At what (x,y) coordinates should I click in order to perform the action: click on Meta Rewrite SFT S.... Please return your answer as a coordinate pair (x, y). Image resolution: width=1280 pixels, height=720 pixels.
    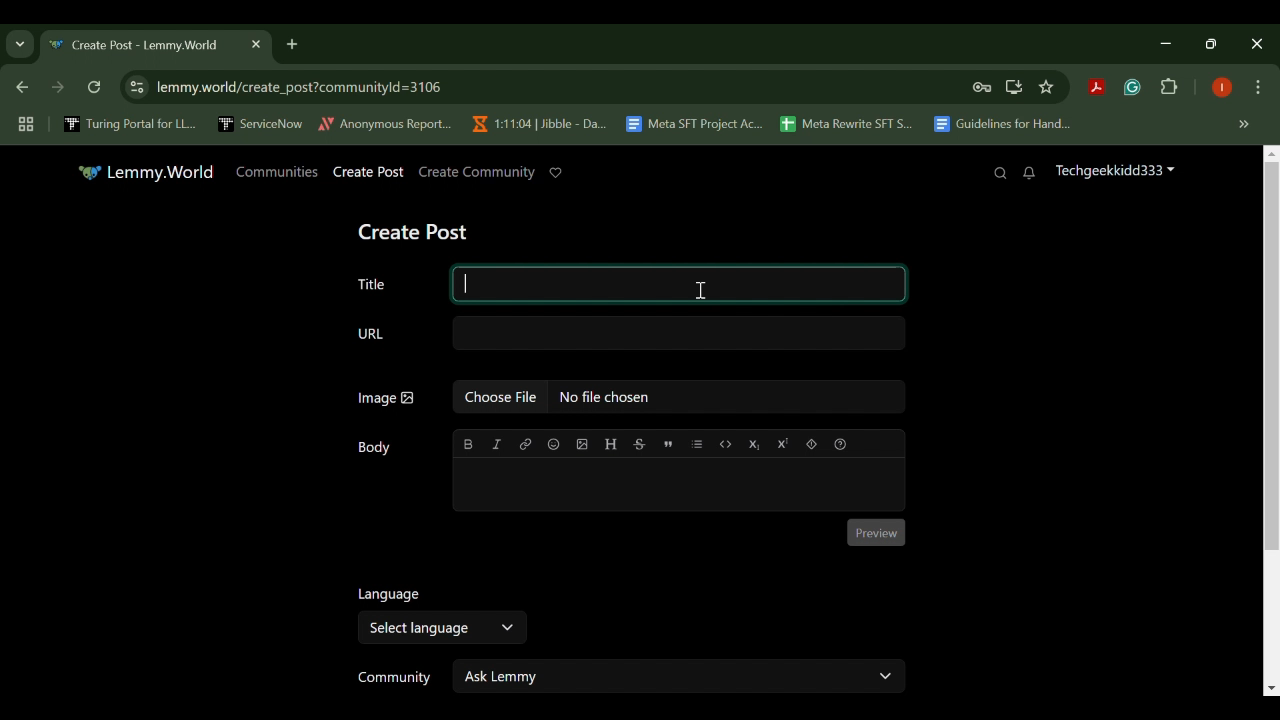
    Looking at the image, I should click on (847, 125).